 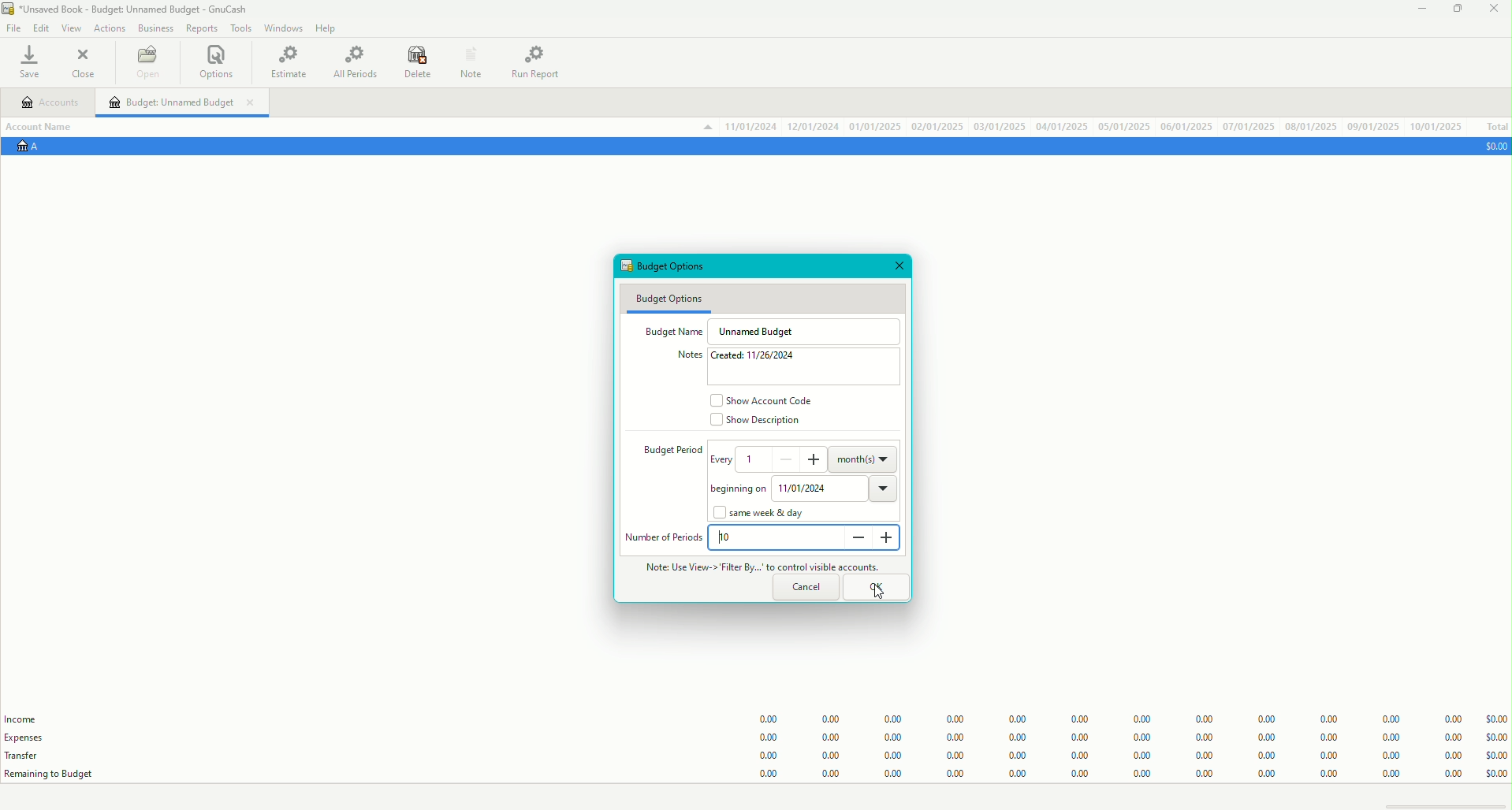 I want to click on Reports, so click(x=202, y=29).